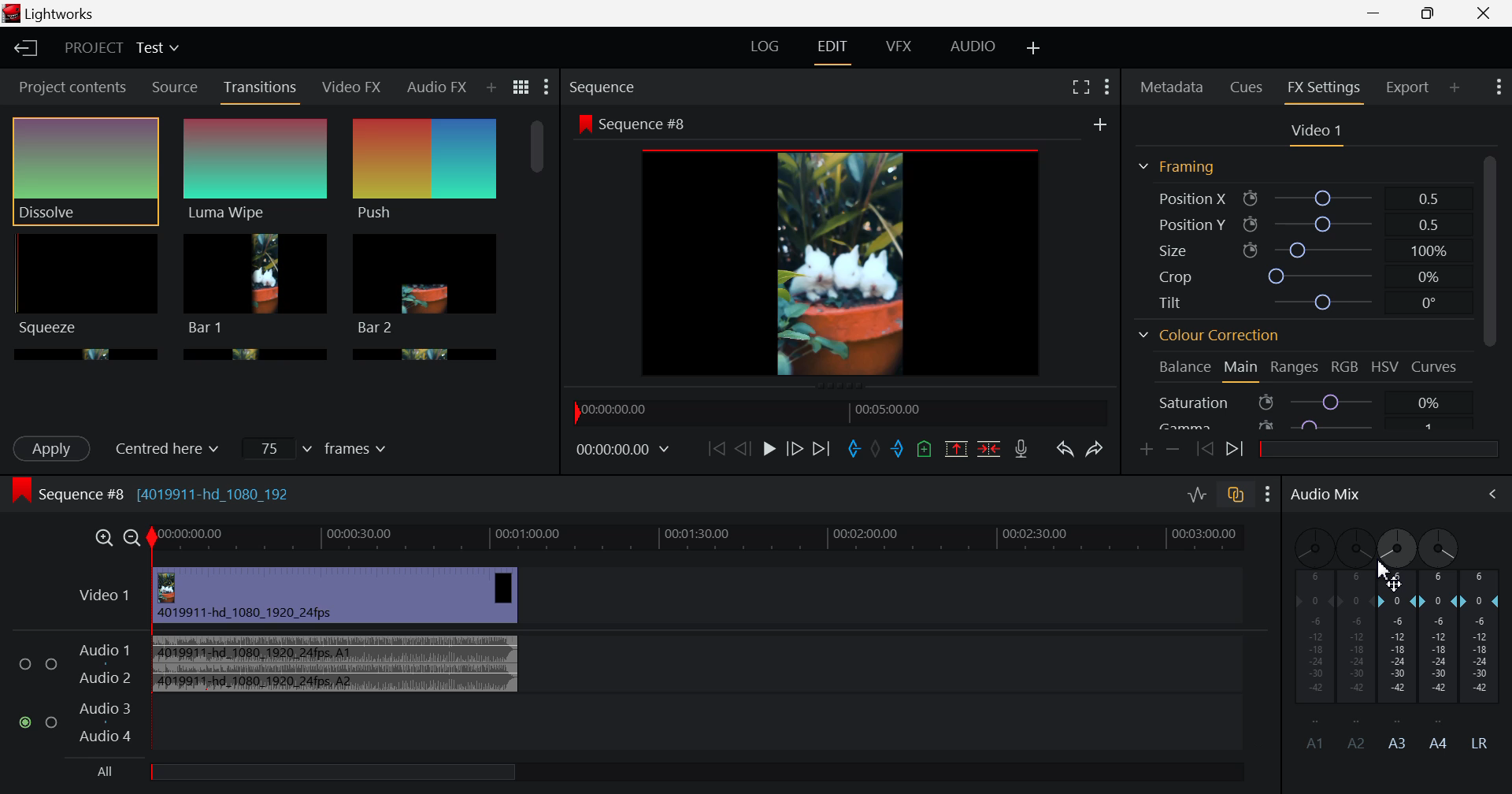 The width and height of the screenshot is (1512, 794). Describe the element at coordinates (841, 412) in the screenshot. I see `Timeline Navigator` at that location.